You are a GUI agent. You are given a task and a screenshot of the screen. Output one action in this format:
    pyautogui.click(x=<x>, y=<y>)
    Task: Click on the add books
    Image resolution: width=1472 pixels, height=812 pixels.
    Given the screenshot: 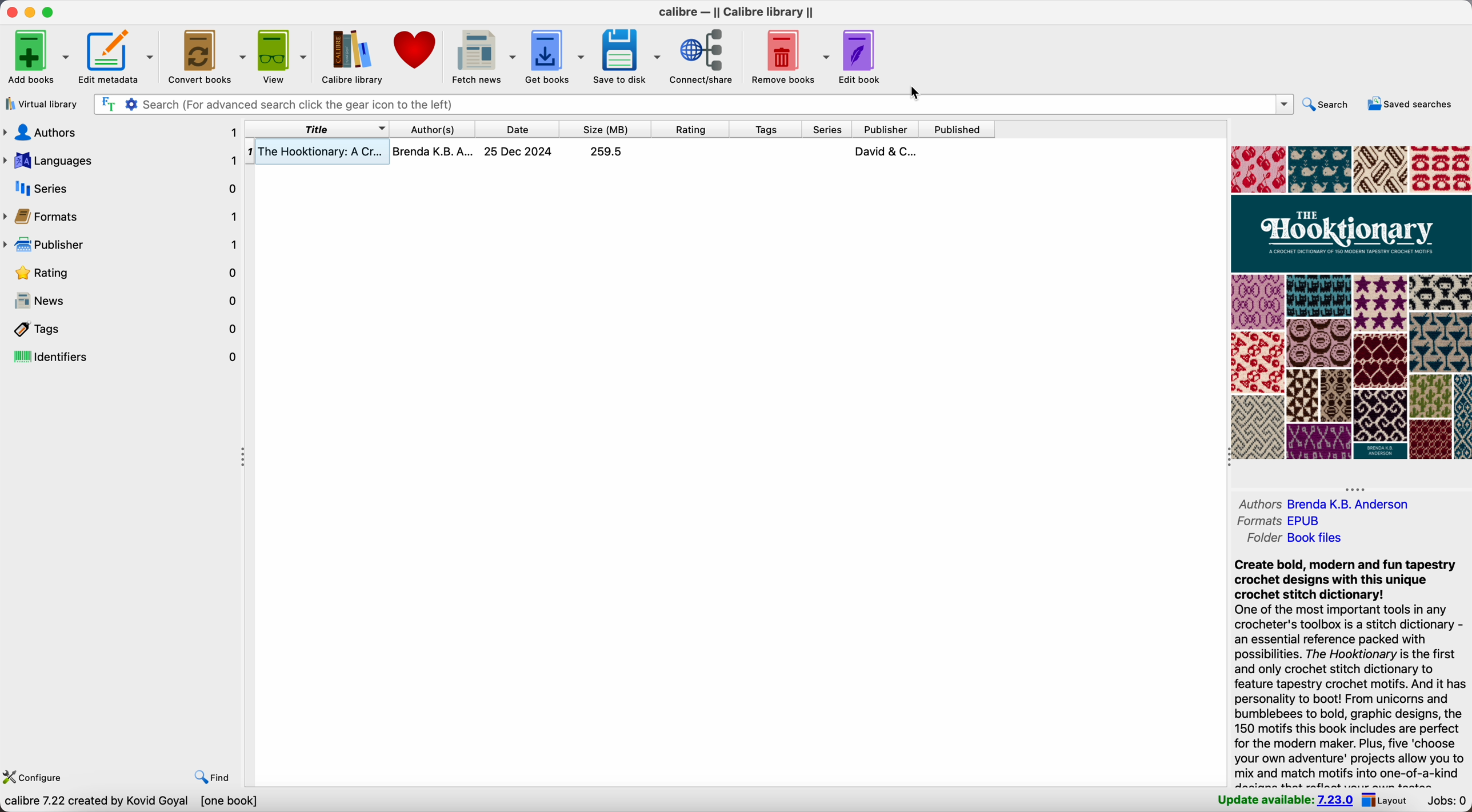 What is the action you would take?
    pyautogui.click(x=35, y=58)
    